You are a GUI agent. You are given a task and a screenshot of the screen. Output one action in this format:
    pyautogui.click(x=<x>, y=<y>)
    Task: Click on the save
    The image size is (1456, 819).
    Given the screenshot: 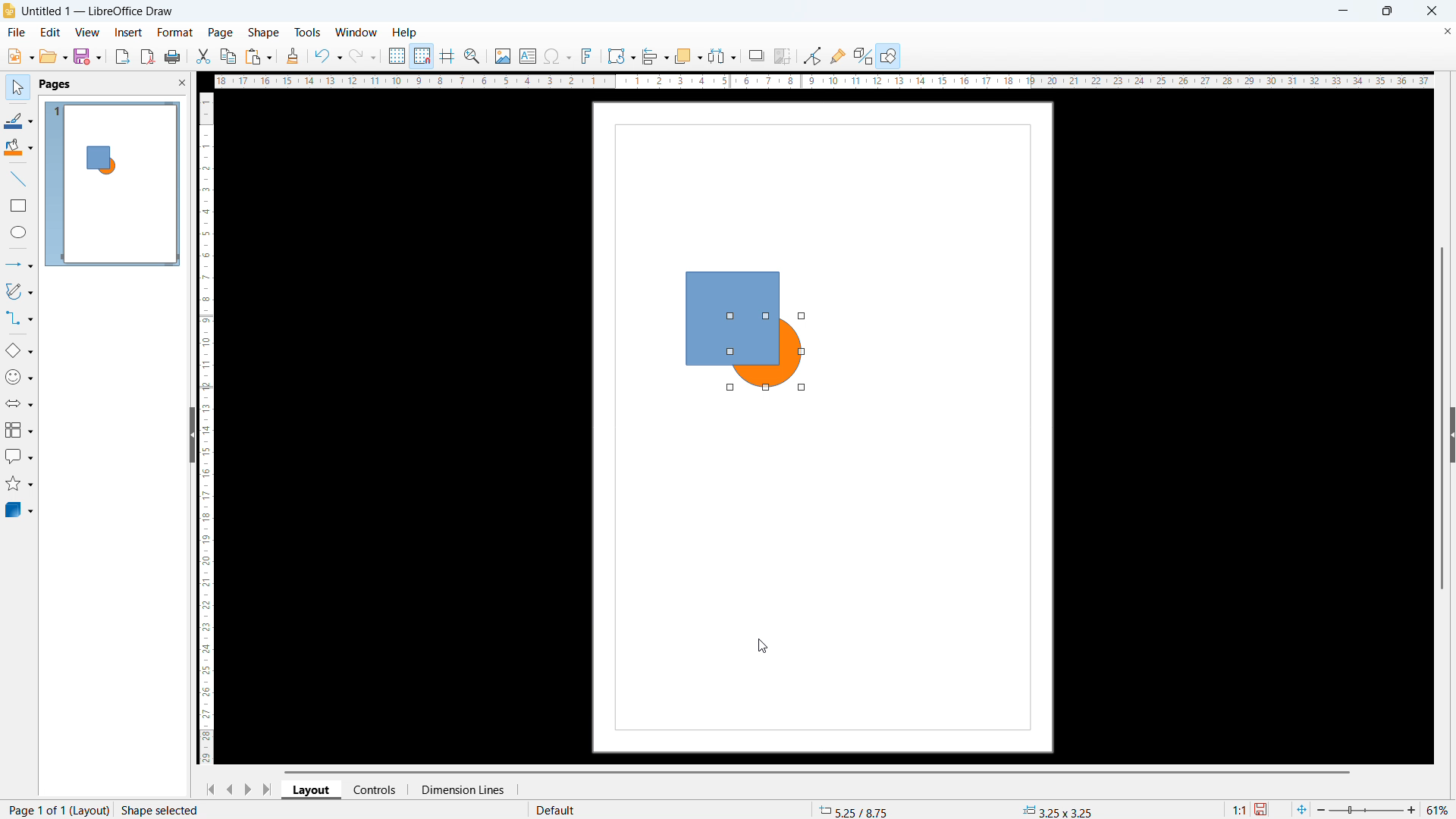 What is the action you would take?
    pyautogui.click(x=1263, y=808)
    